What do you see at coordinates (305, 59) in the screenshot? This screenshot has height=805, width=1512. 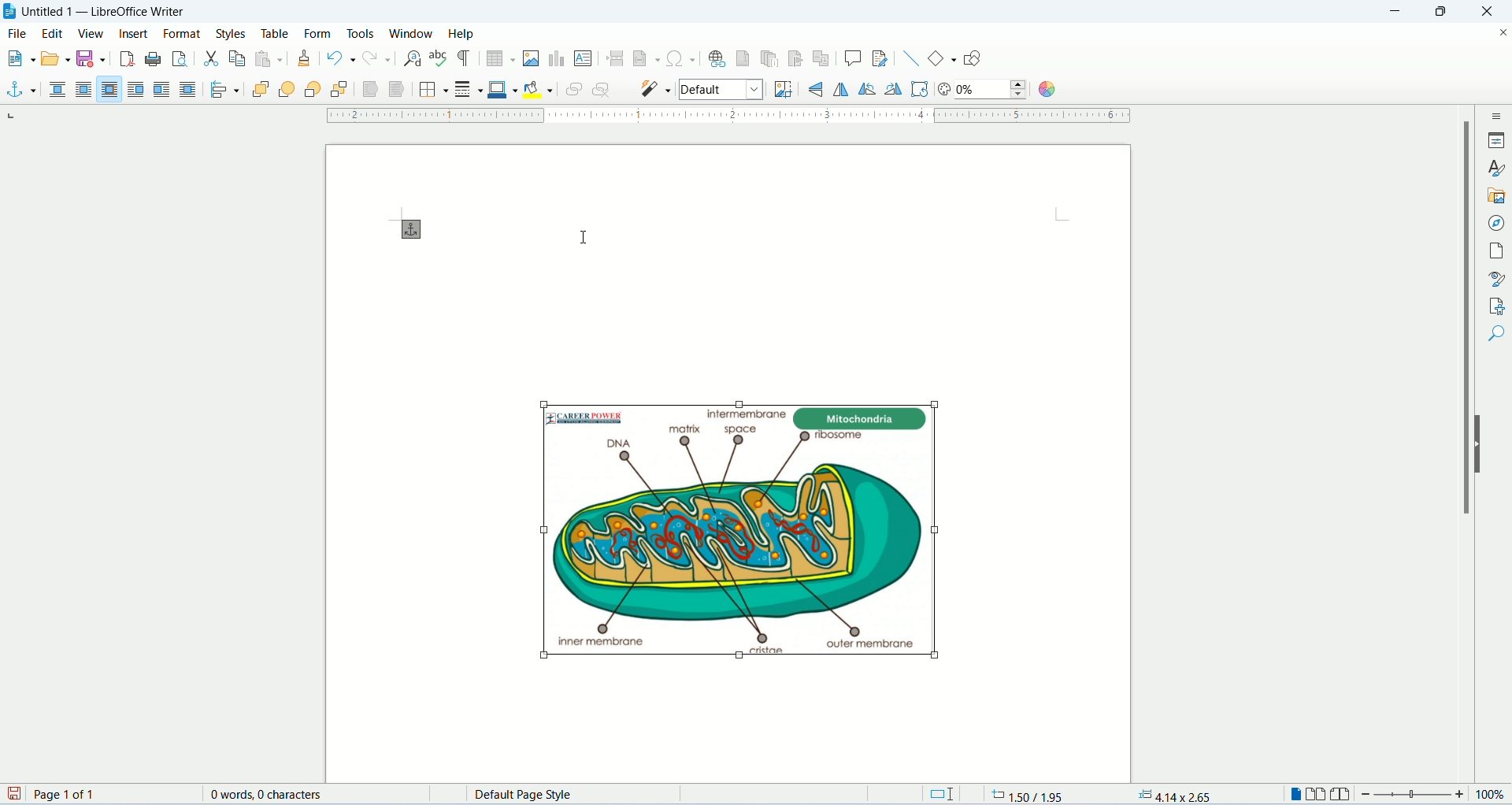 I see `clone formatting` at bounding box center [305, 59].